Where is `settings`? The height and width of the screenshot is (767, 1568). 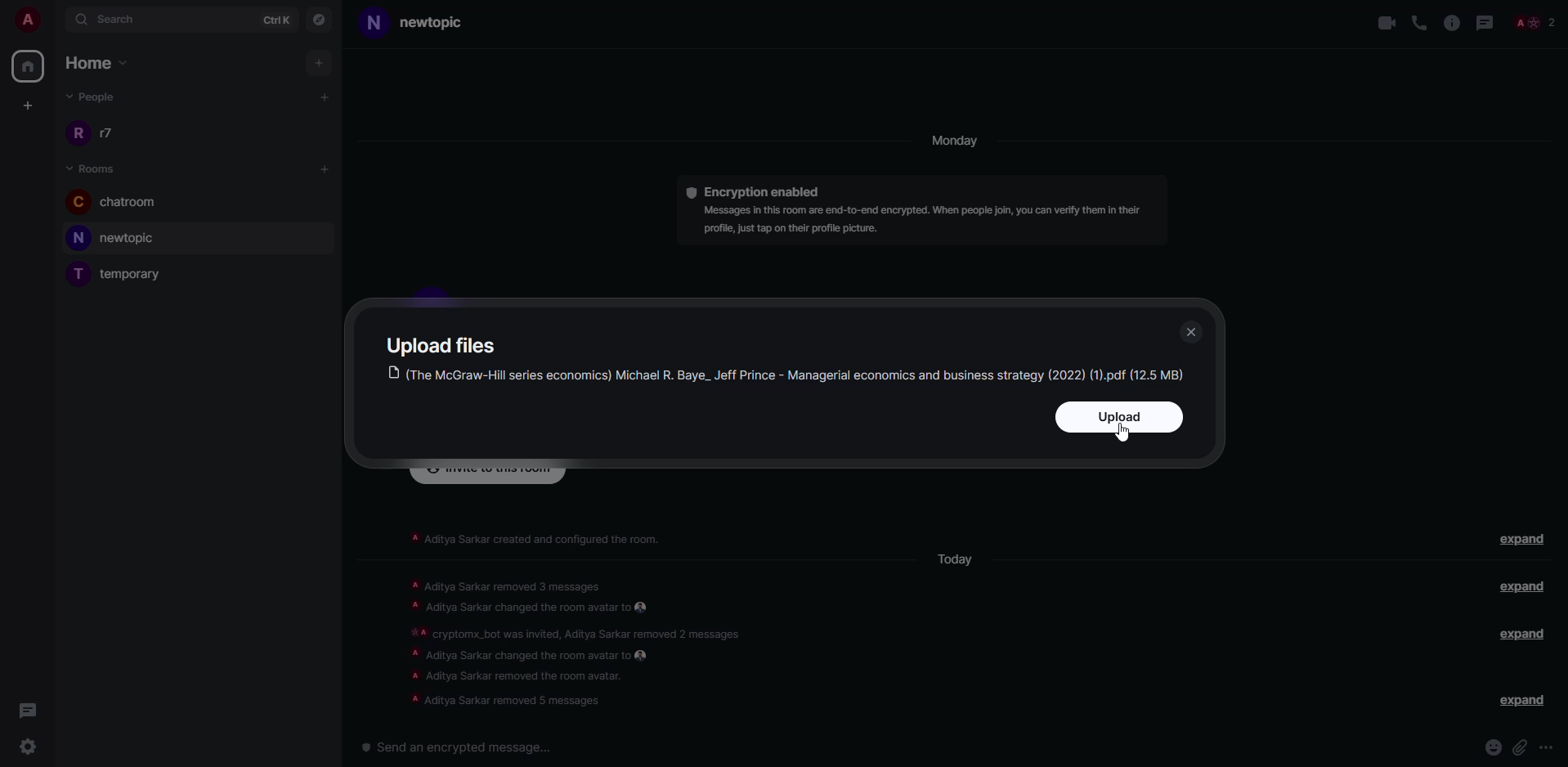
settings is located at coordinates (31, 747).